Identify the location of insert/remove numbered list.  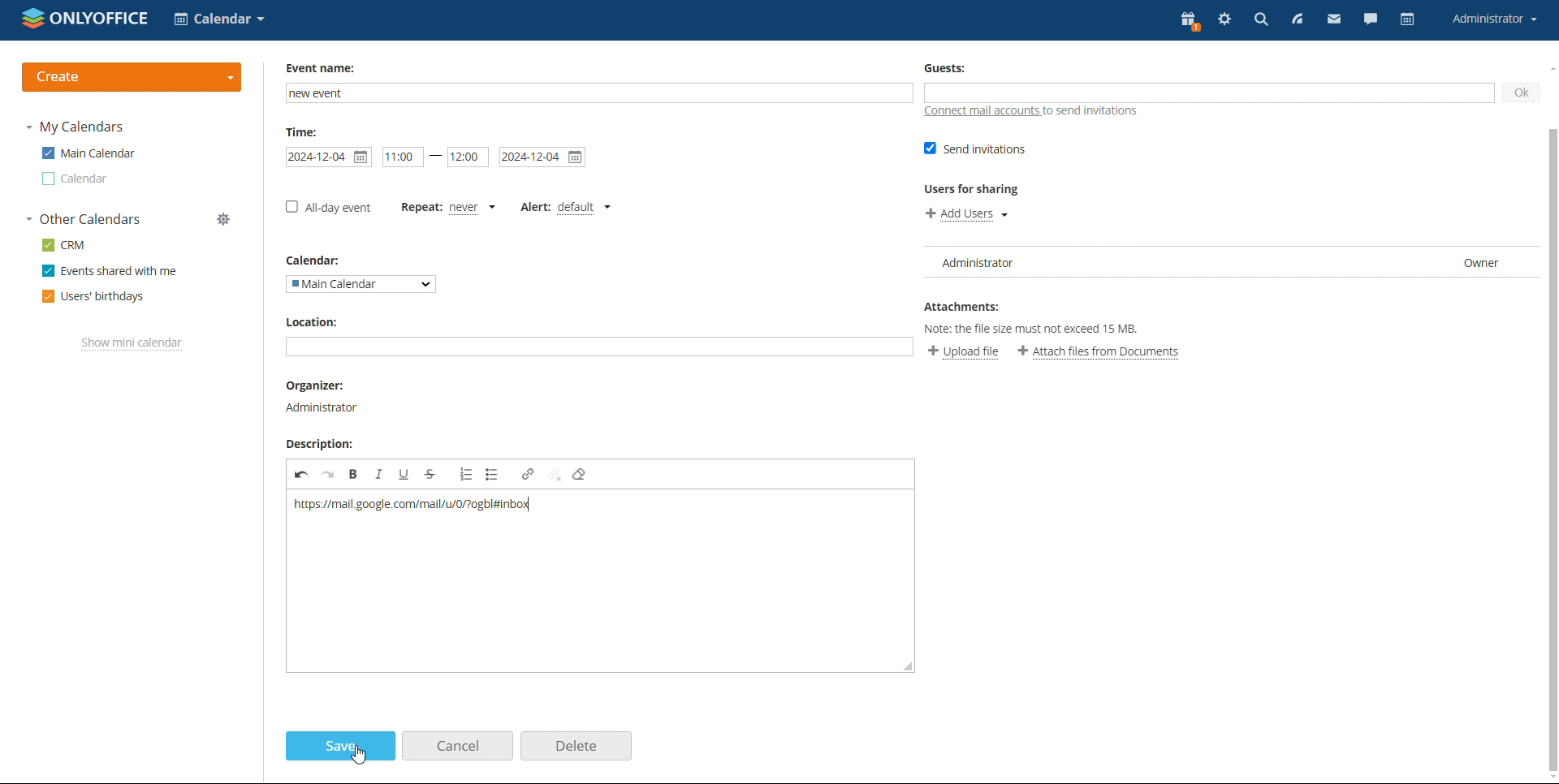
(466, 476).